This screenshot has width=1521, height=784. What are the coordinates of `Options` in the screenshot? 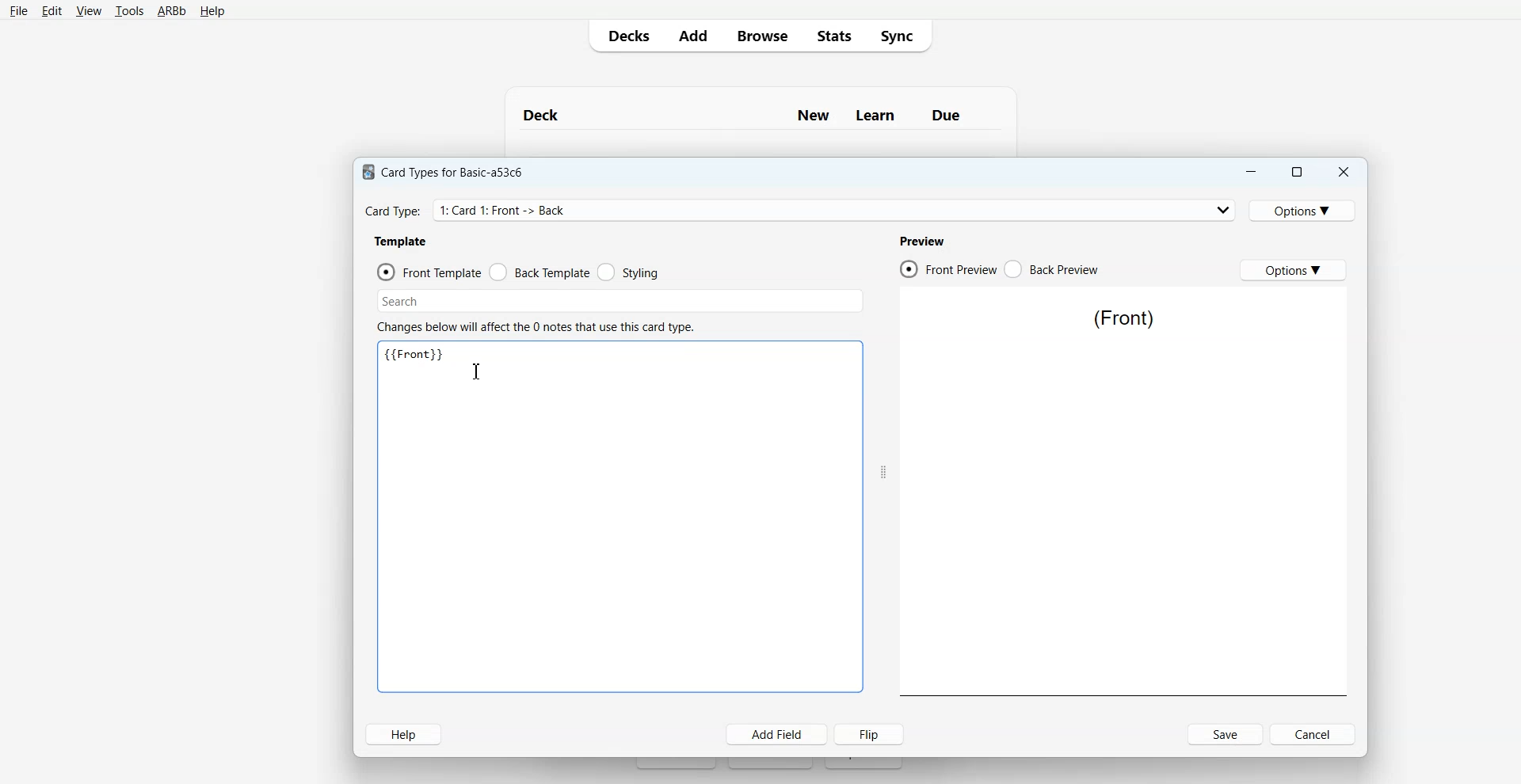 It's located at (1305, 210).